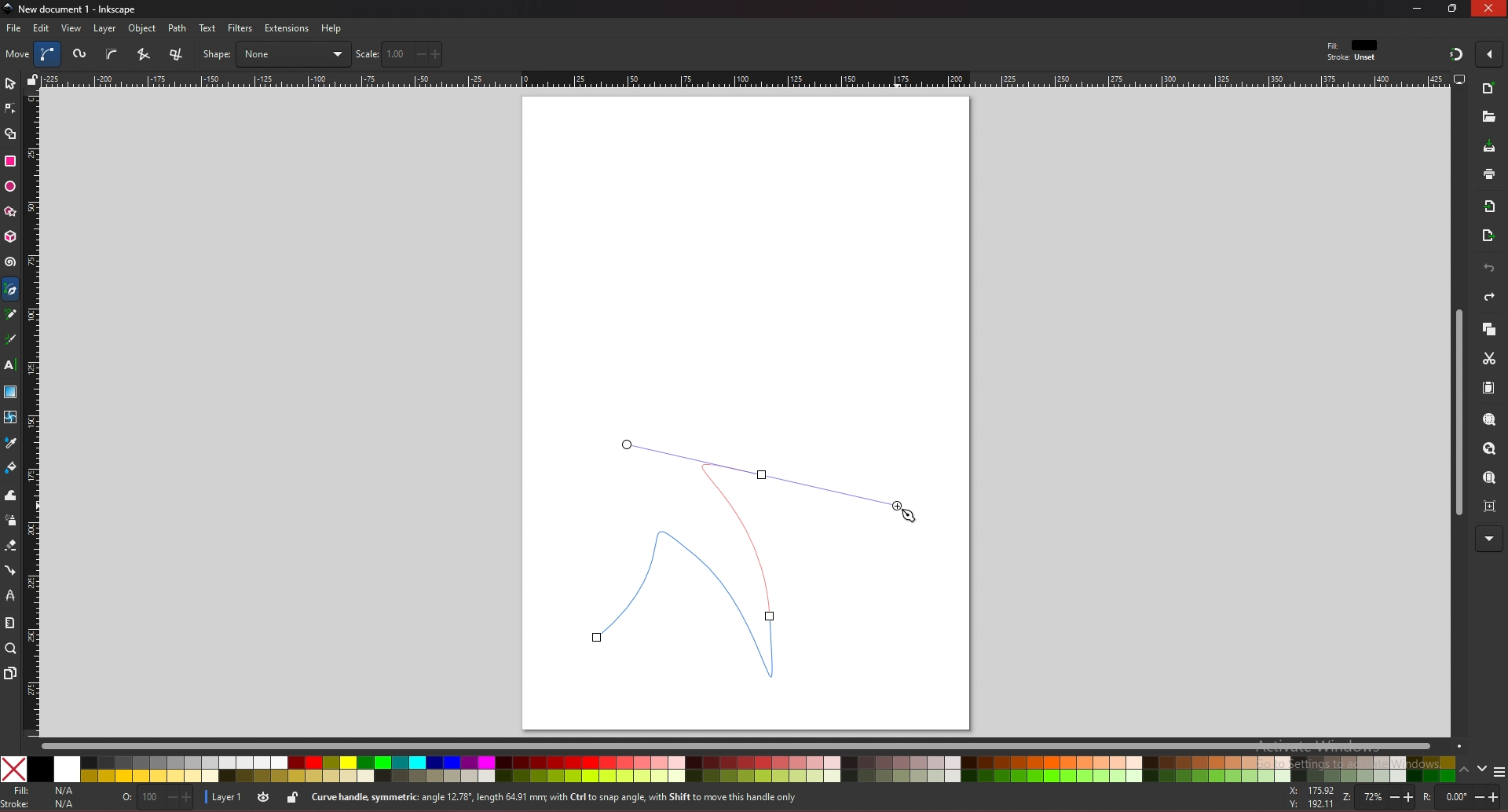 The width and height of the screenshot is (1508, 812). What do you see at coordinates (1489, 297) in the screenshot?
I see `redo` at bounding box center [1489, 297].